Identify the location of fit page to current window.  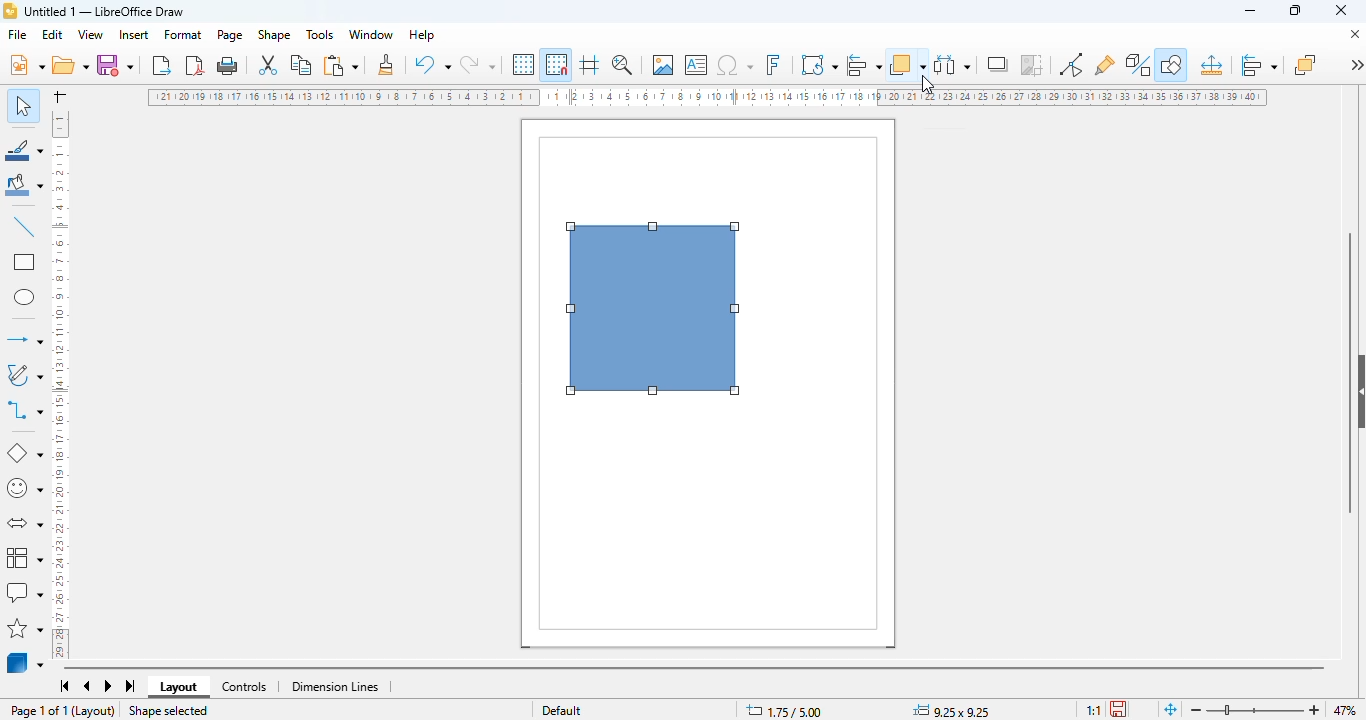
(1170, 708).